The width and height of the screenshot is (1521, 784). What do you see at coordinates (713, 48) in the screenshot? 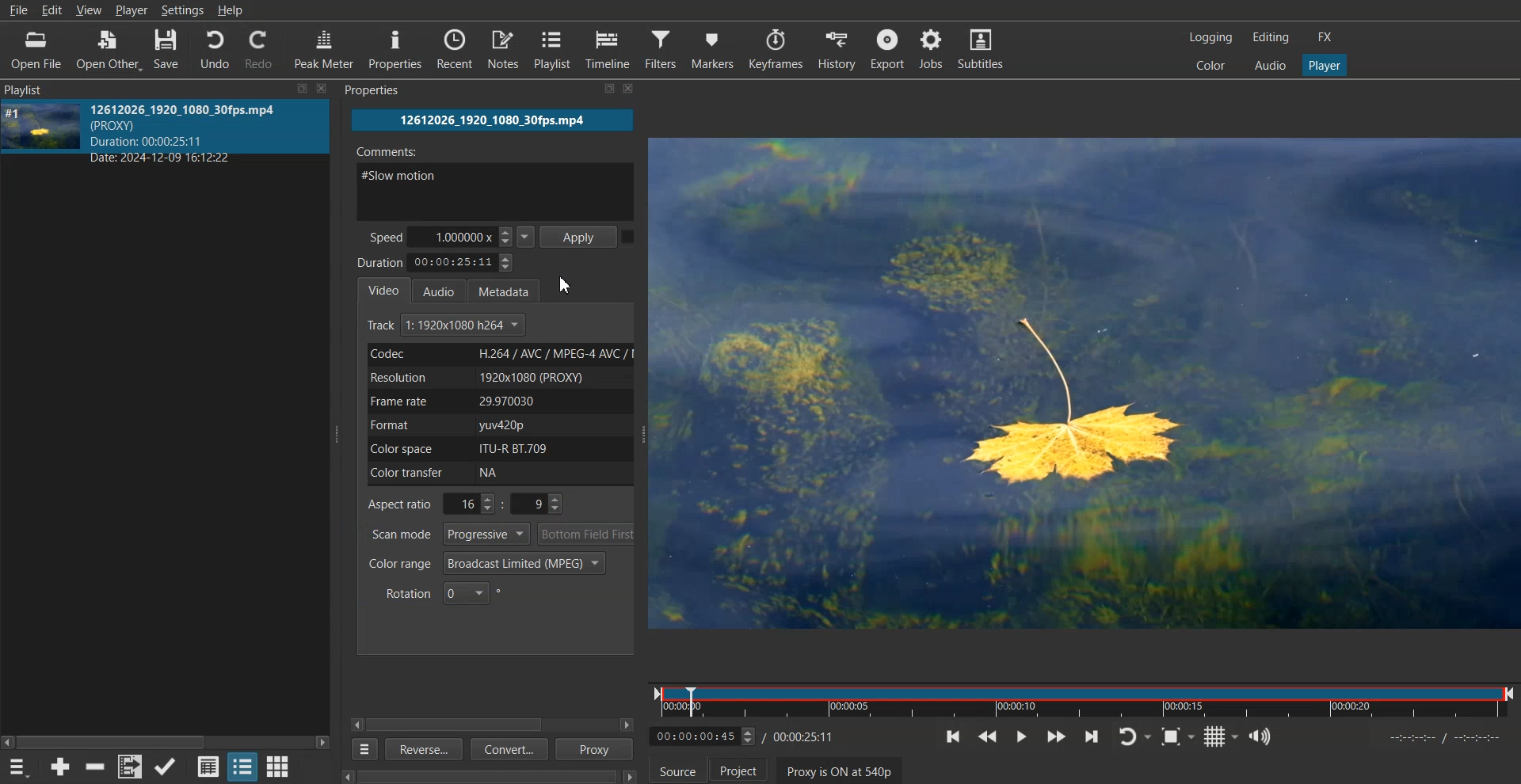
I see `Markers` at bounding box center [713, 48].